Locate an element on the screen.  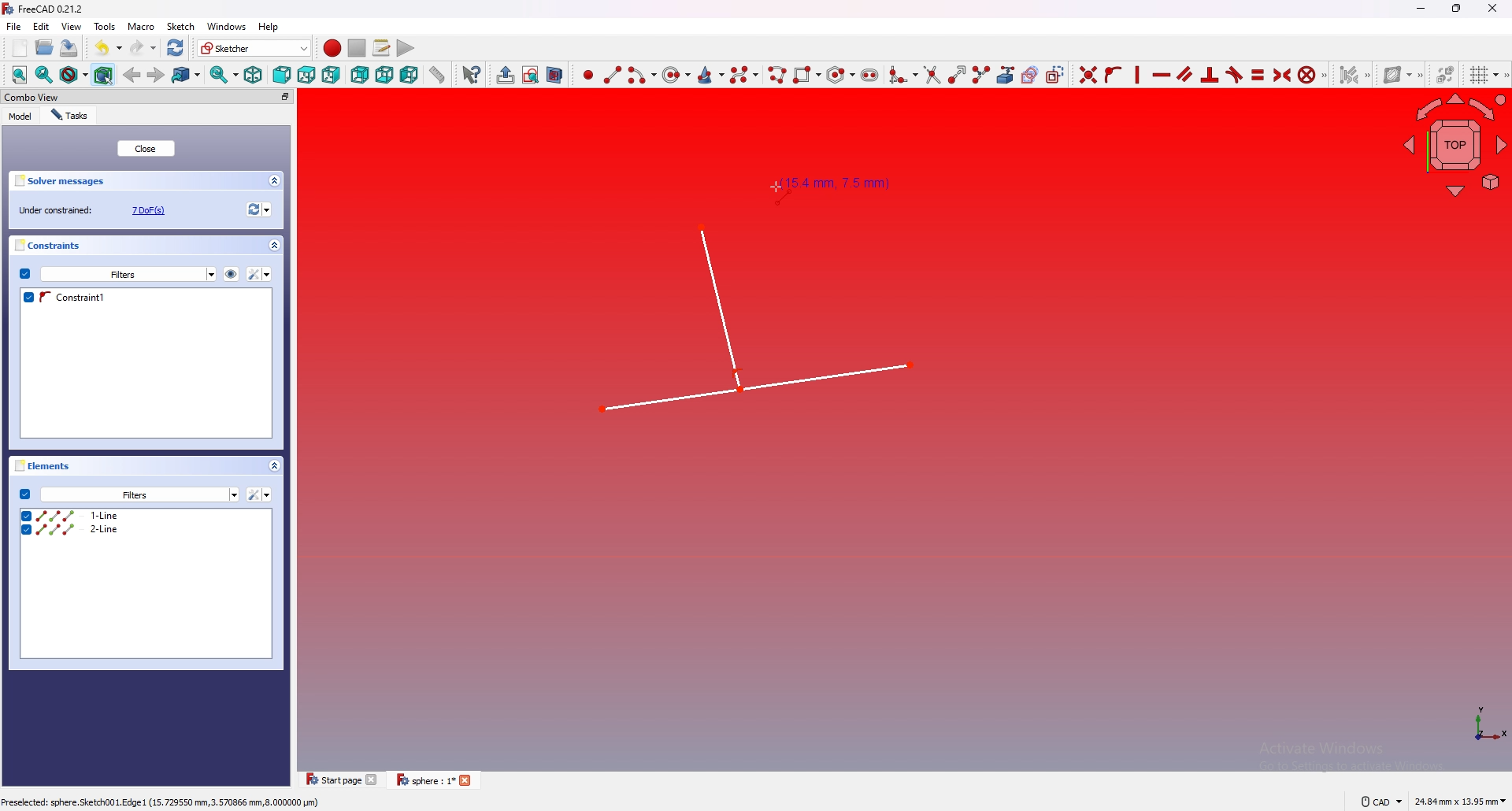
Check is located at coordinates (24, 274).